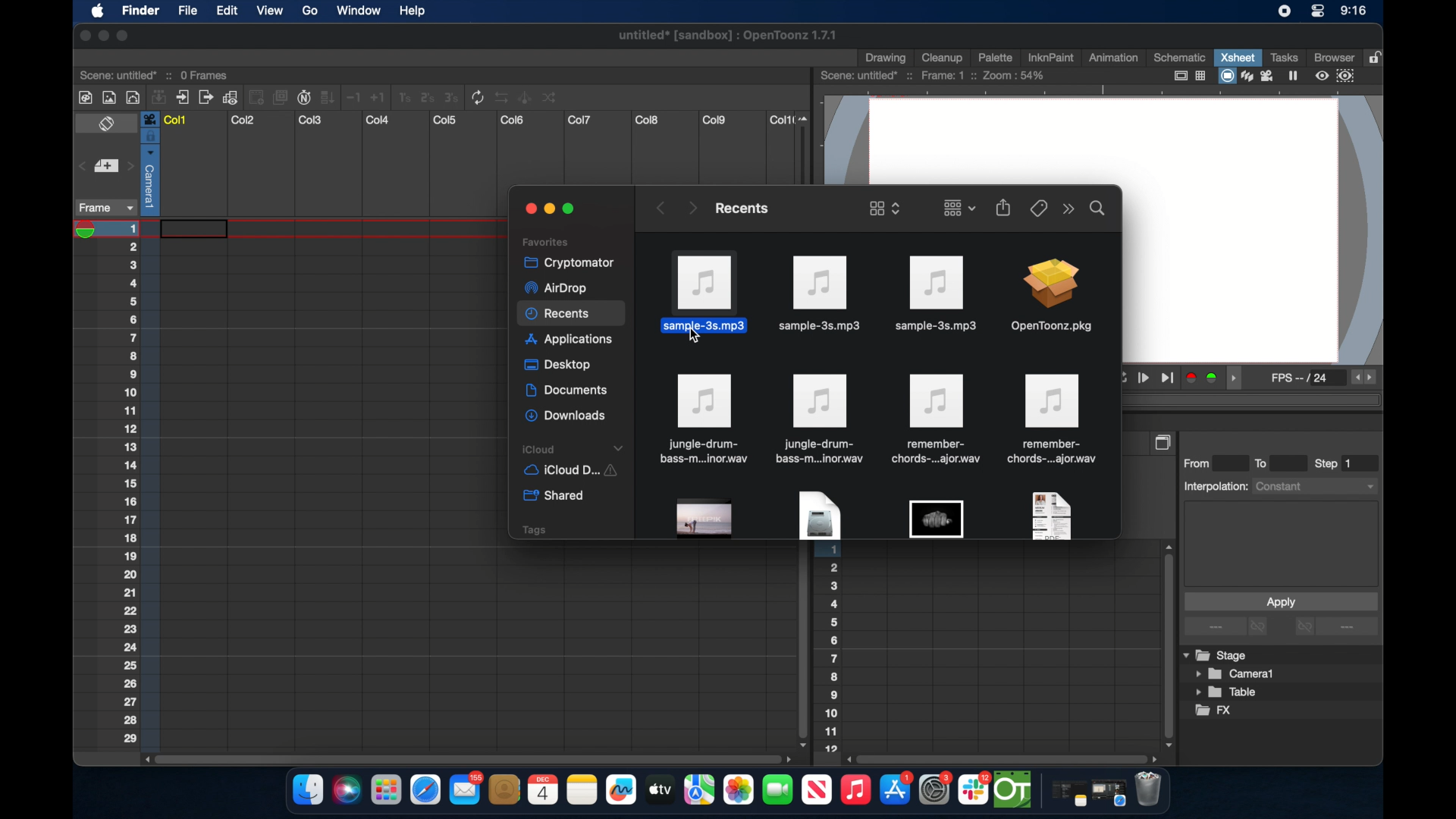  Describe the element at coordinates (102, 36) in the screenshot. I see `minimize` at that location.